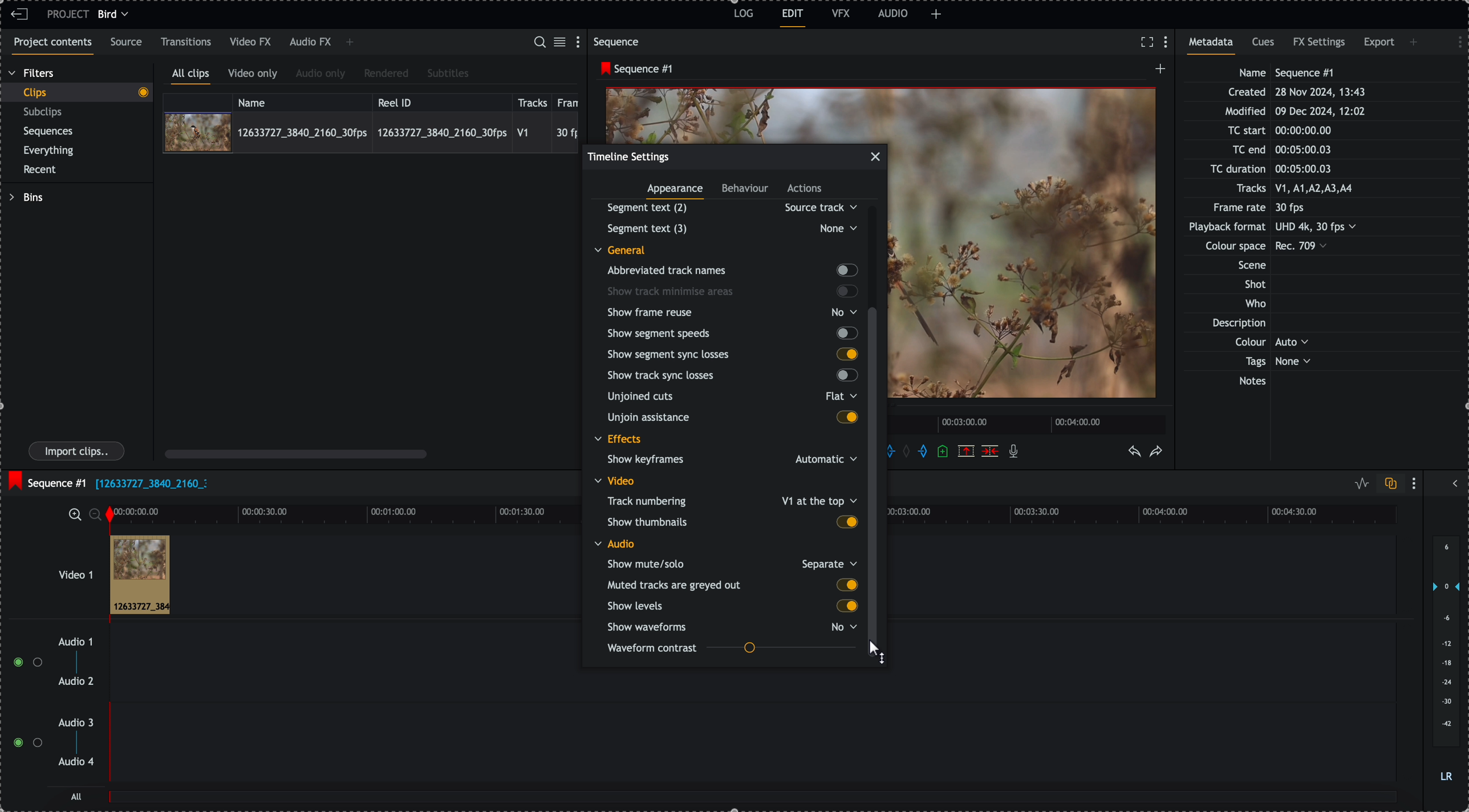 This screenshot has width=1469, height=812. I want to click on subclips, so click(45, 112).